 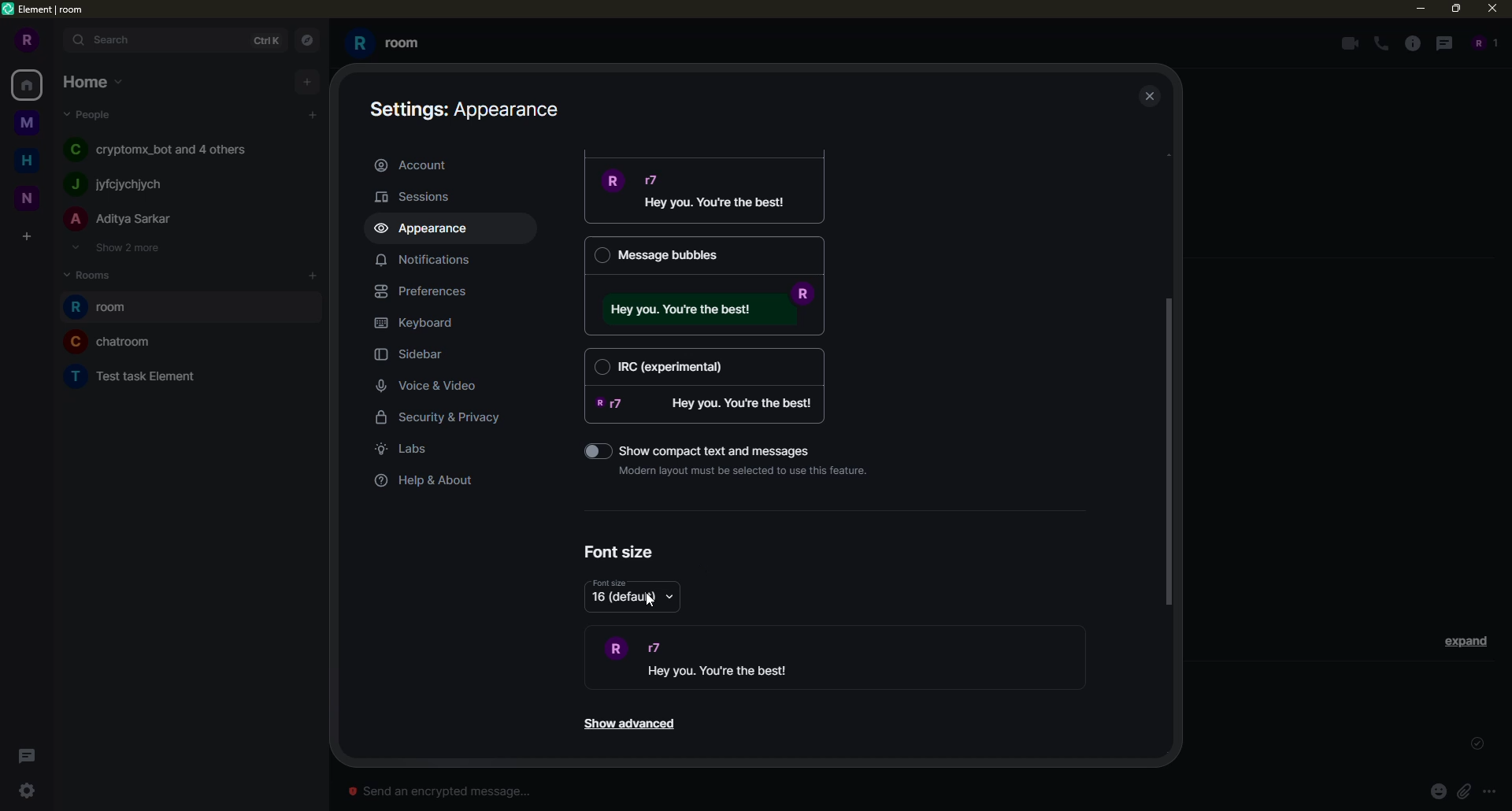 I want to click on space, so click(x=28, y=196).